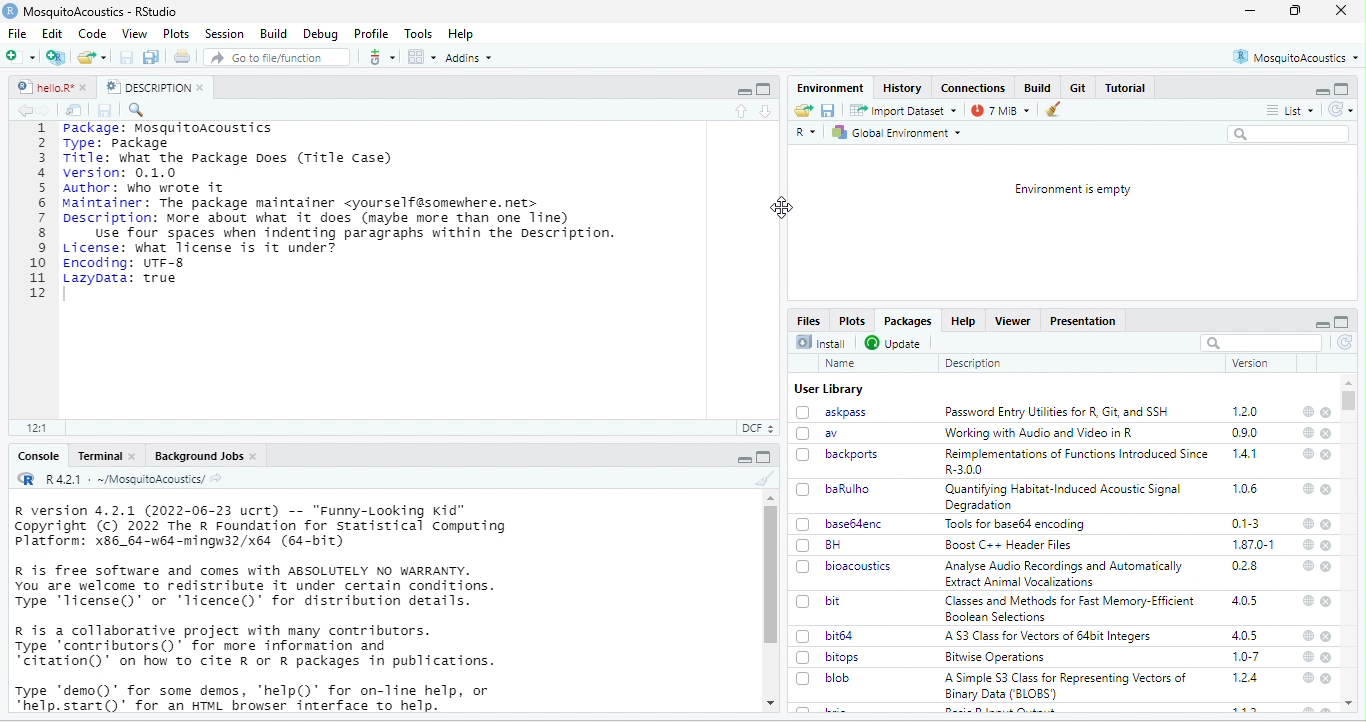 The image size is (1366, 722). What do you see at coordinates (1067, 686) in the screenshot?
I see `A Simple S3 Class for Representing Vectors of Binary Data (‘BLOBS’)` at bounding box center [1067, 686].